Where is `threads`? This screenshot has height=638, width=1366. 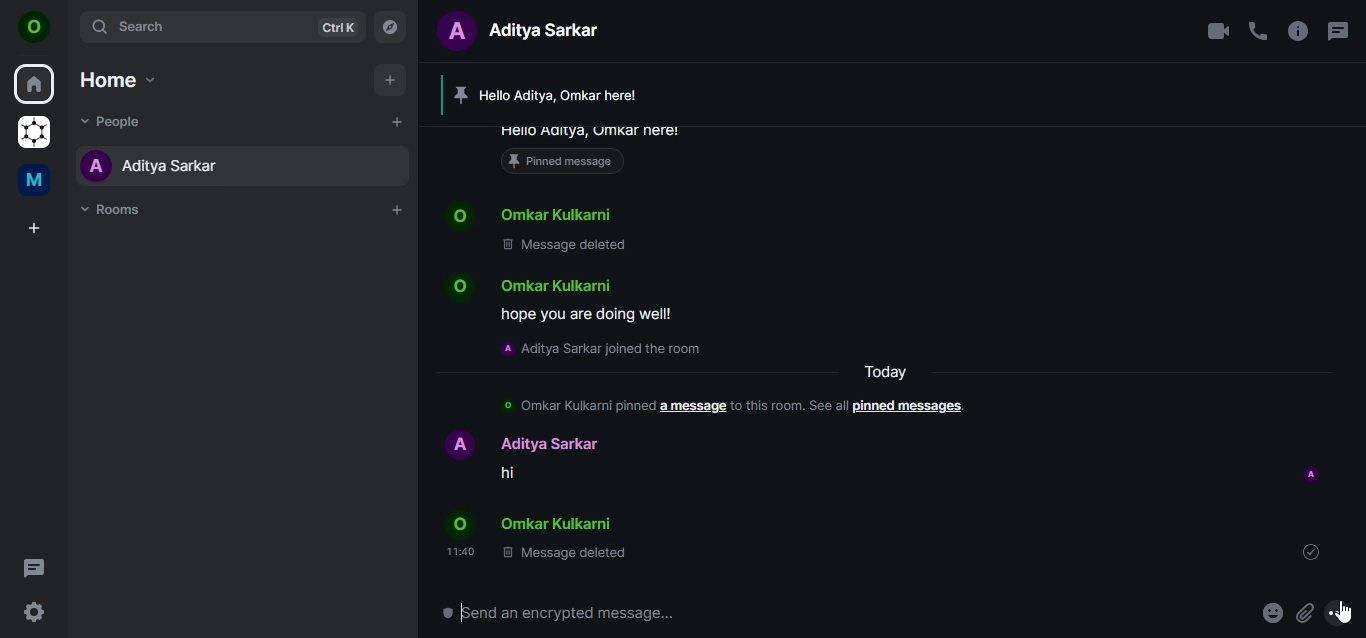
threads is located at coordinates (1336, 31).